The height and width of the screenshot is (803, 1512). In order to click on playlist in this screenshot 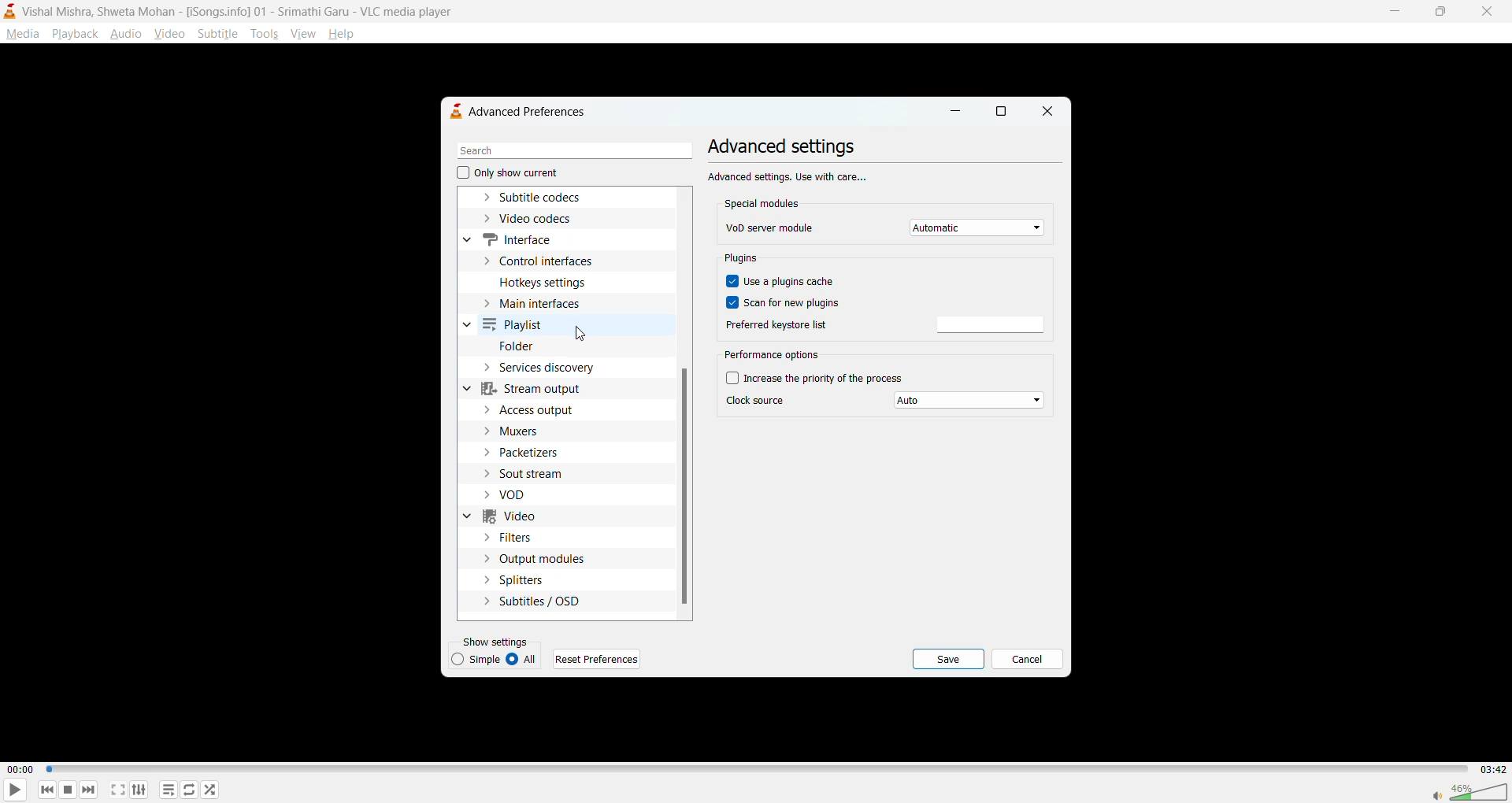, I will do `click(171, 790)`.